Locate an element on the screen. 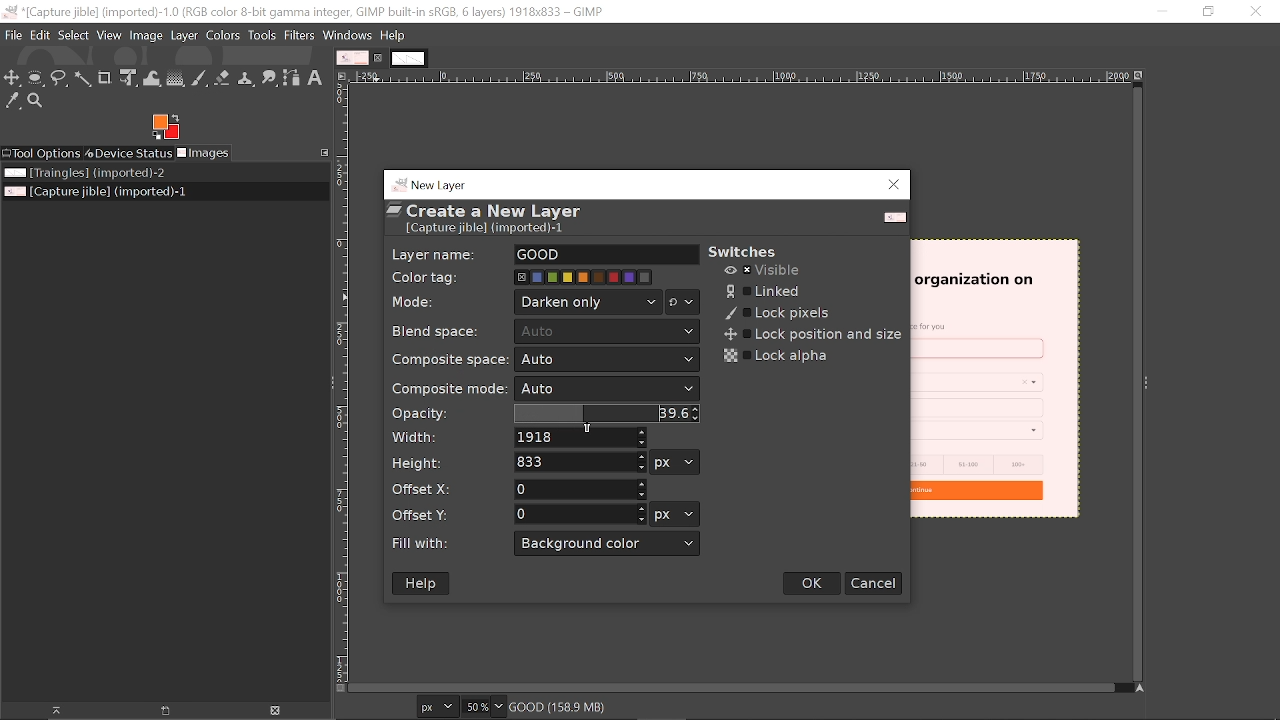 This screenshot has height=720, width=1280. Height is located at coordinates (580, 462).